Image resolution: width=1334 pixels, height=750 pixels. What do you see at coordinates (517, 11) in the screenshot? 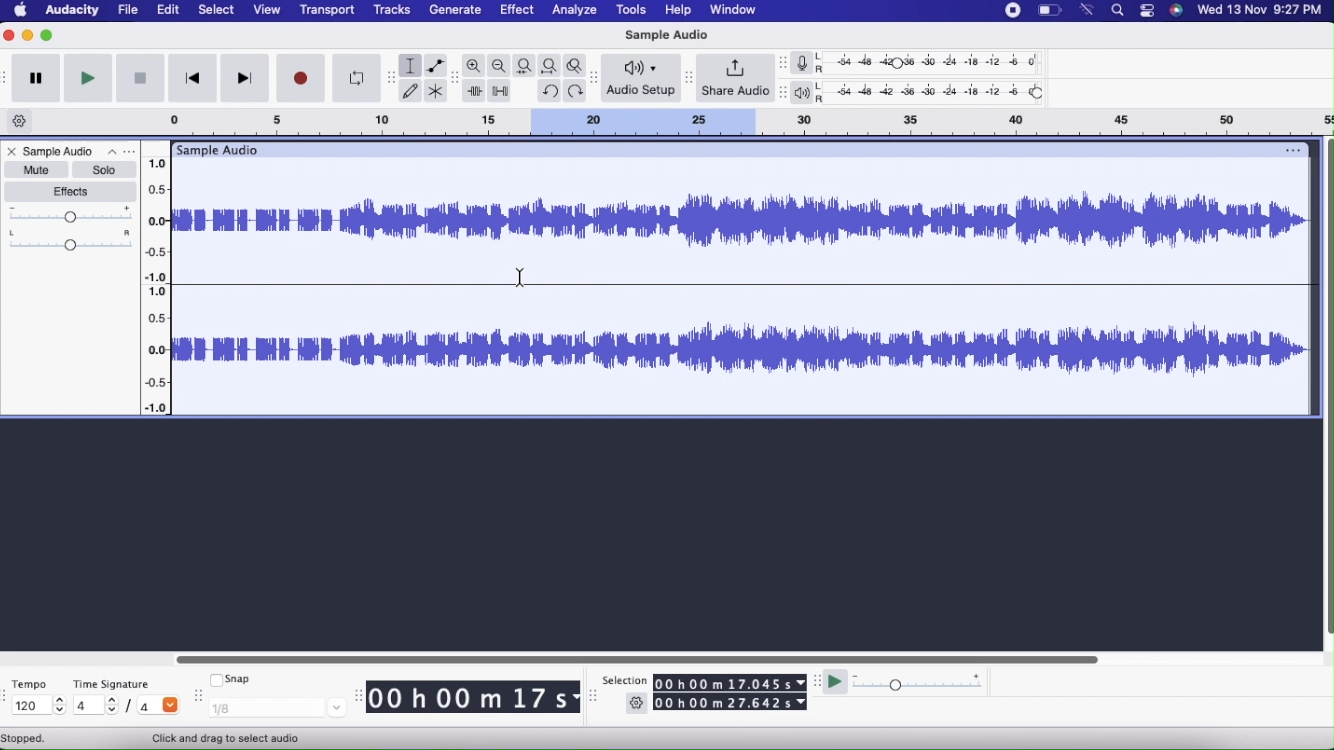
I see `Effect` at bounding box center [517, 11].